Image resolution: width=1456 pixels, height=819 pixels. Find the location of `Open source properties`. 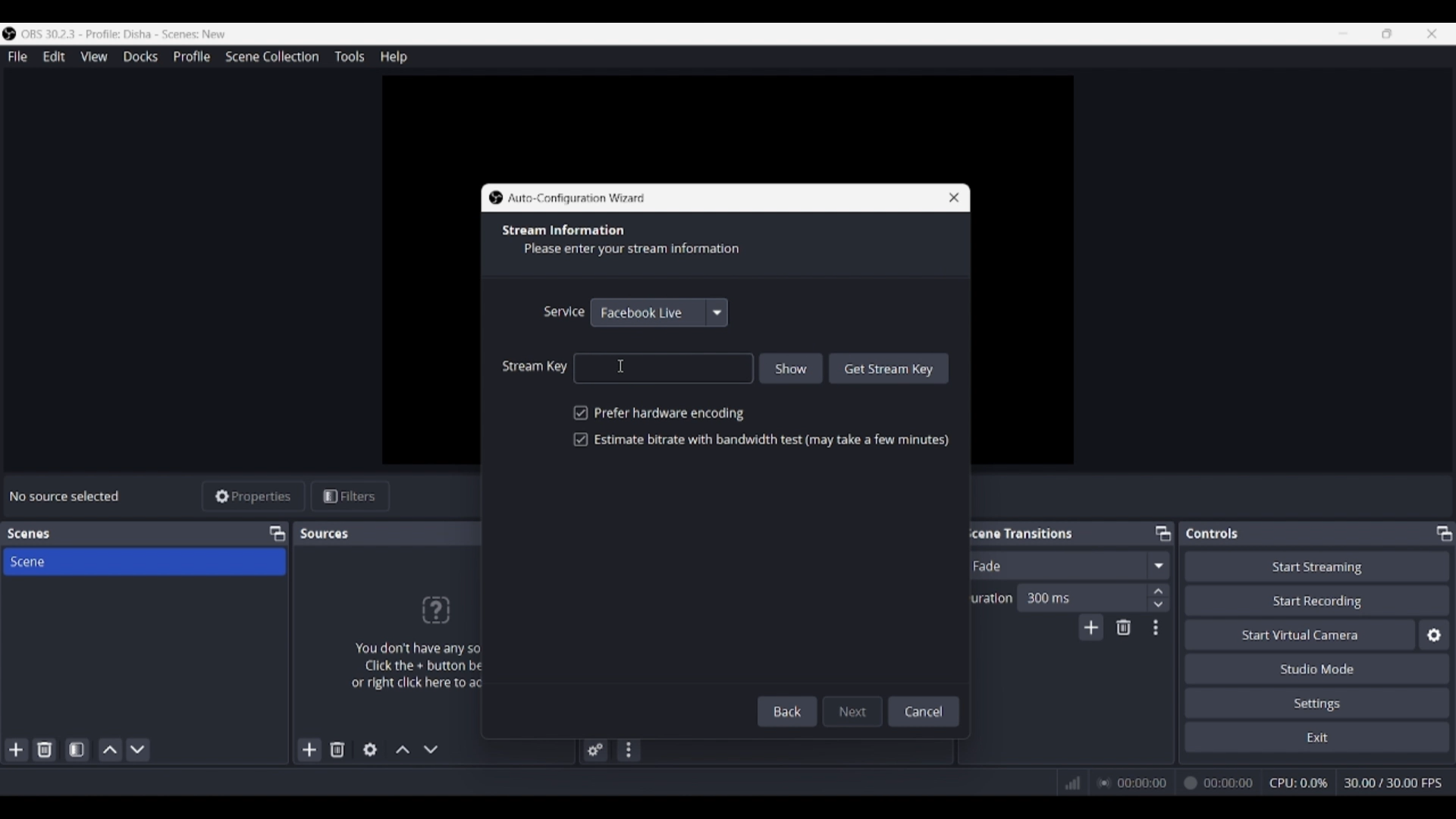

Open source properties is located at coordinates (370, 750).